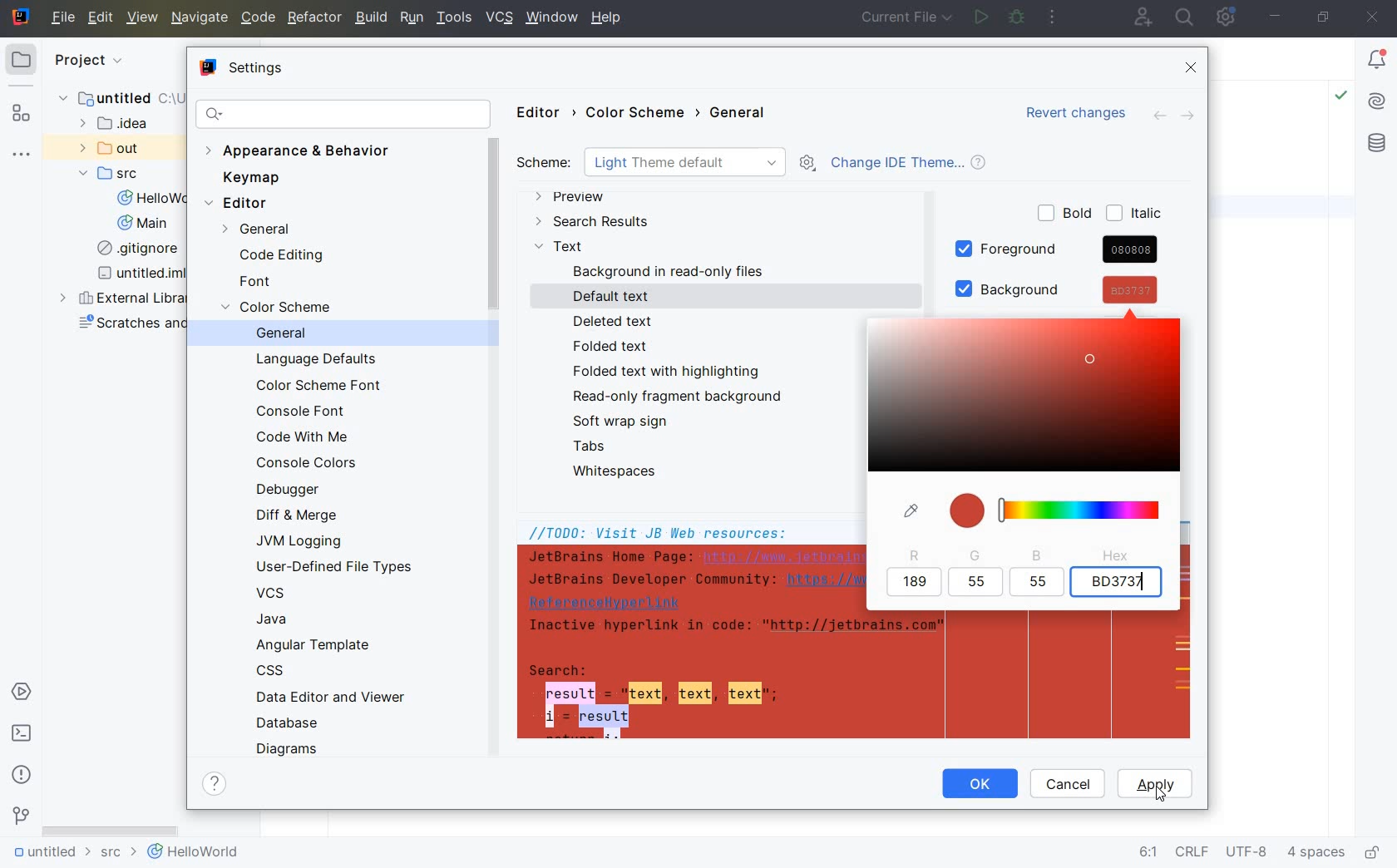 The image size is (1397, 868). What do you see at coordinates (643, 114) in the screenshot?
I see `COLOR SCHEME` at bounding box center [643, 114].